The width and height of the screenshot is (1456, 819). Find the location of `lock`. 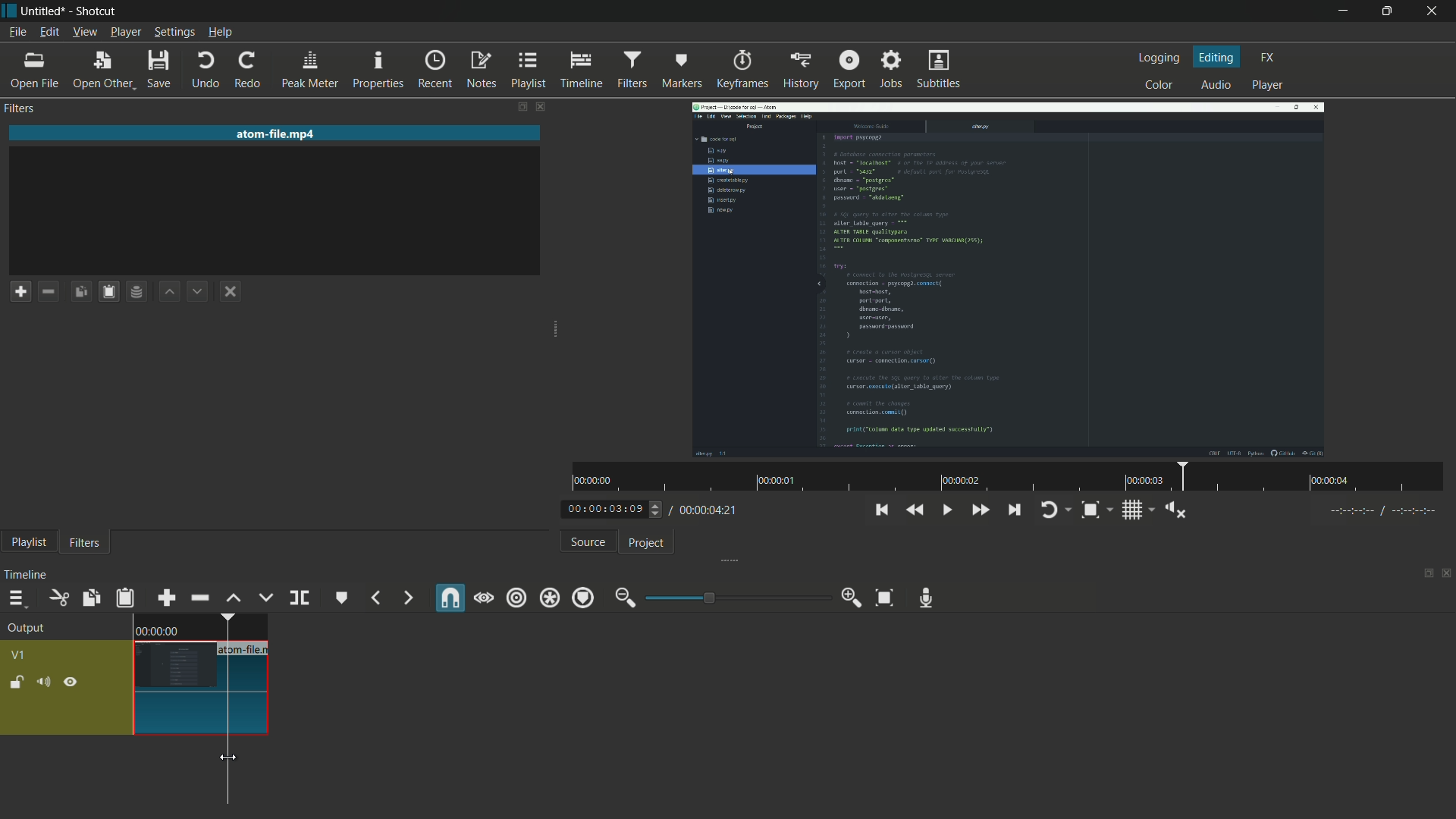

lock is located at coordinates (16, 684).